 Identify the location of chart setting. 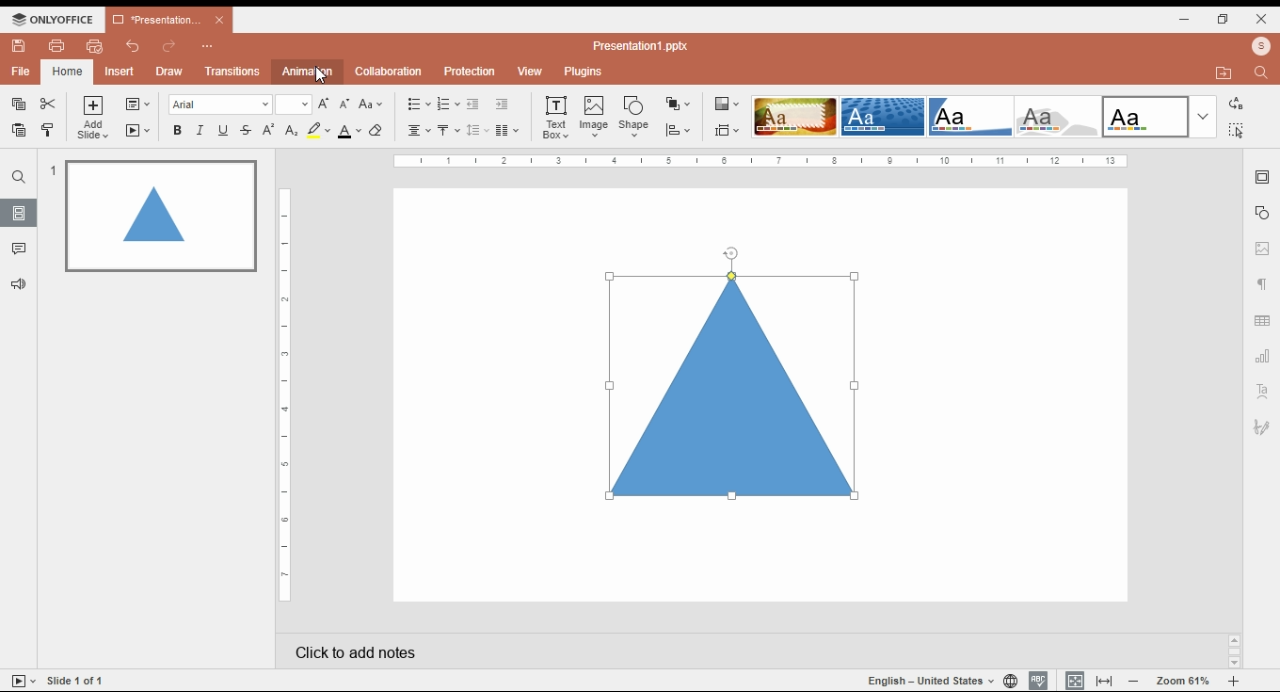
(1263, 354).